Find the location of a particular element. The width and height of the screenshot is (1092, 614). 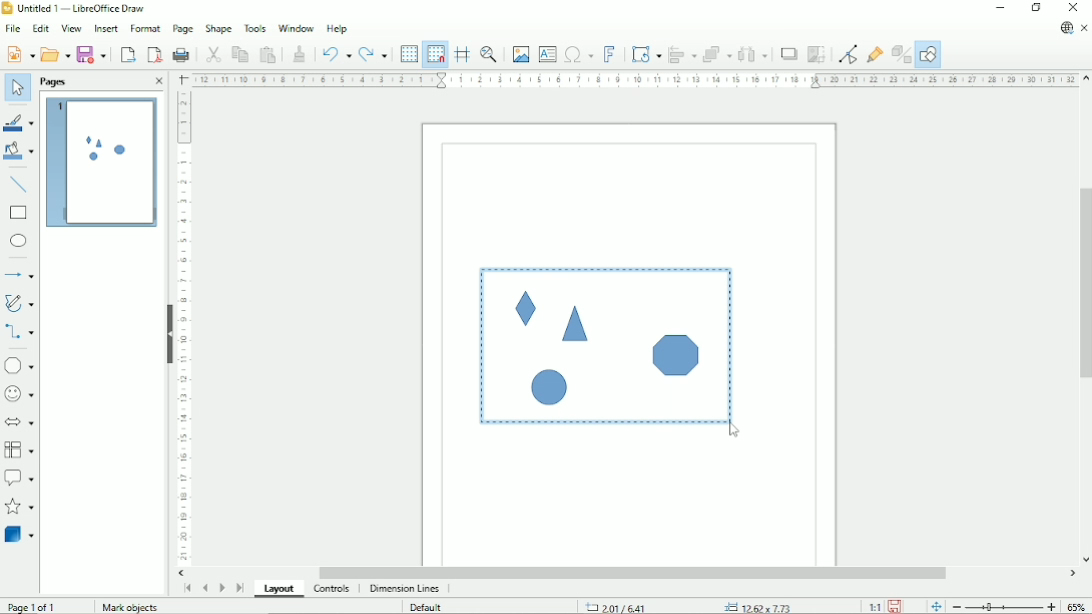

Print is located at coordinates (181, 52).